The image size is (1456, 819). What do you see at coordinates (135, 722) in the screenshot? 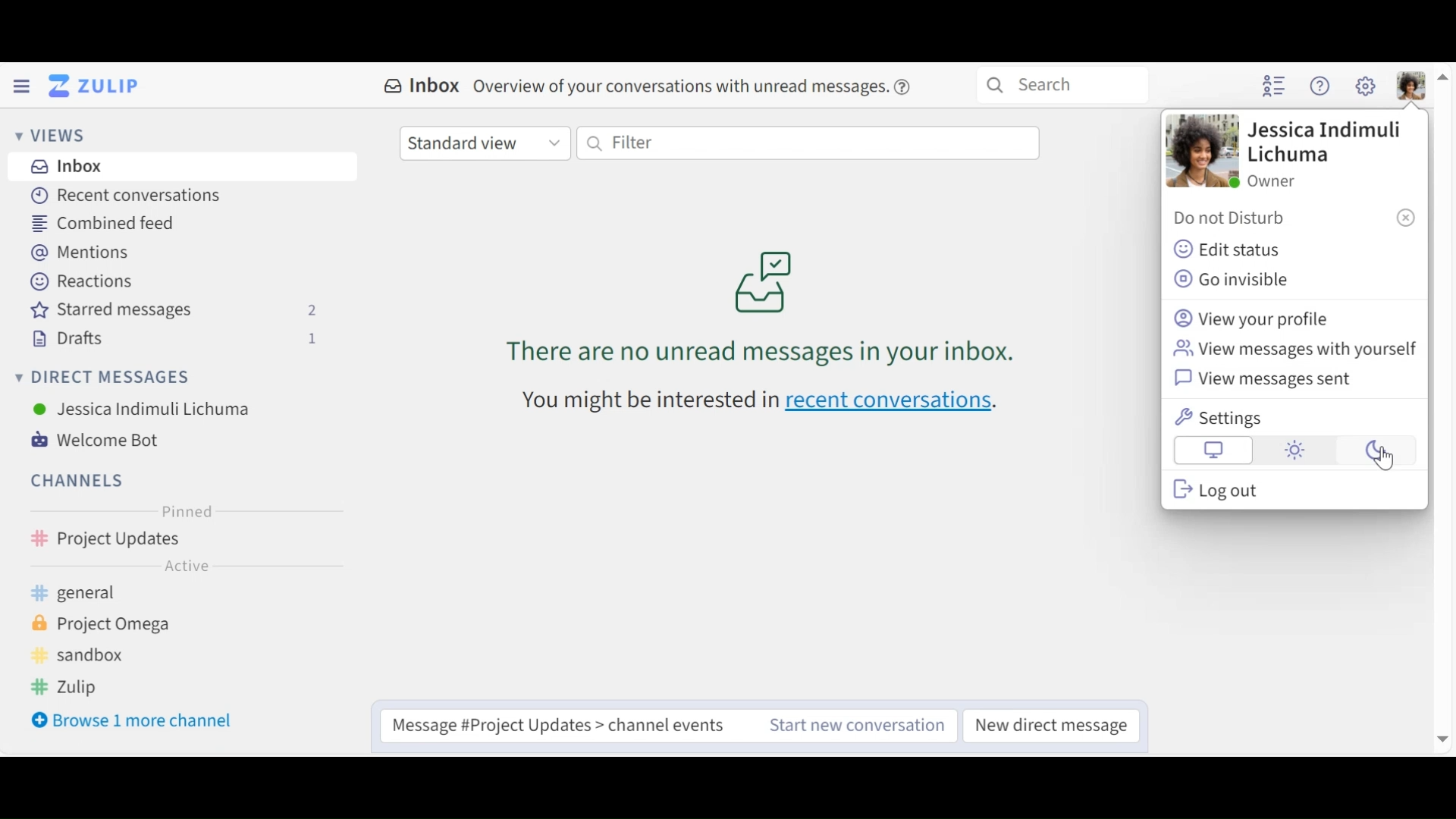
I see `Browse 1 more channel` at bounding box center [135, 722].